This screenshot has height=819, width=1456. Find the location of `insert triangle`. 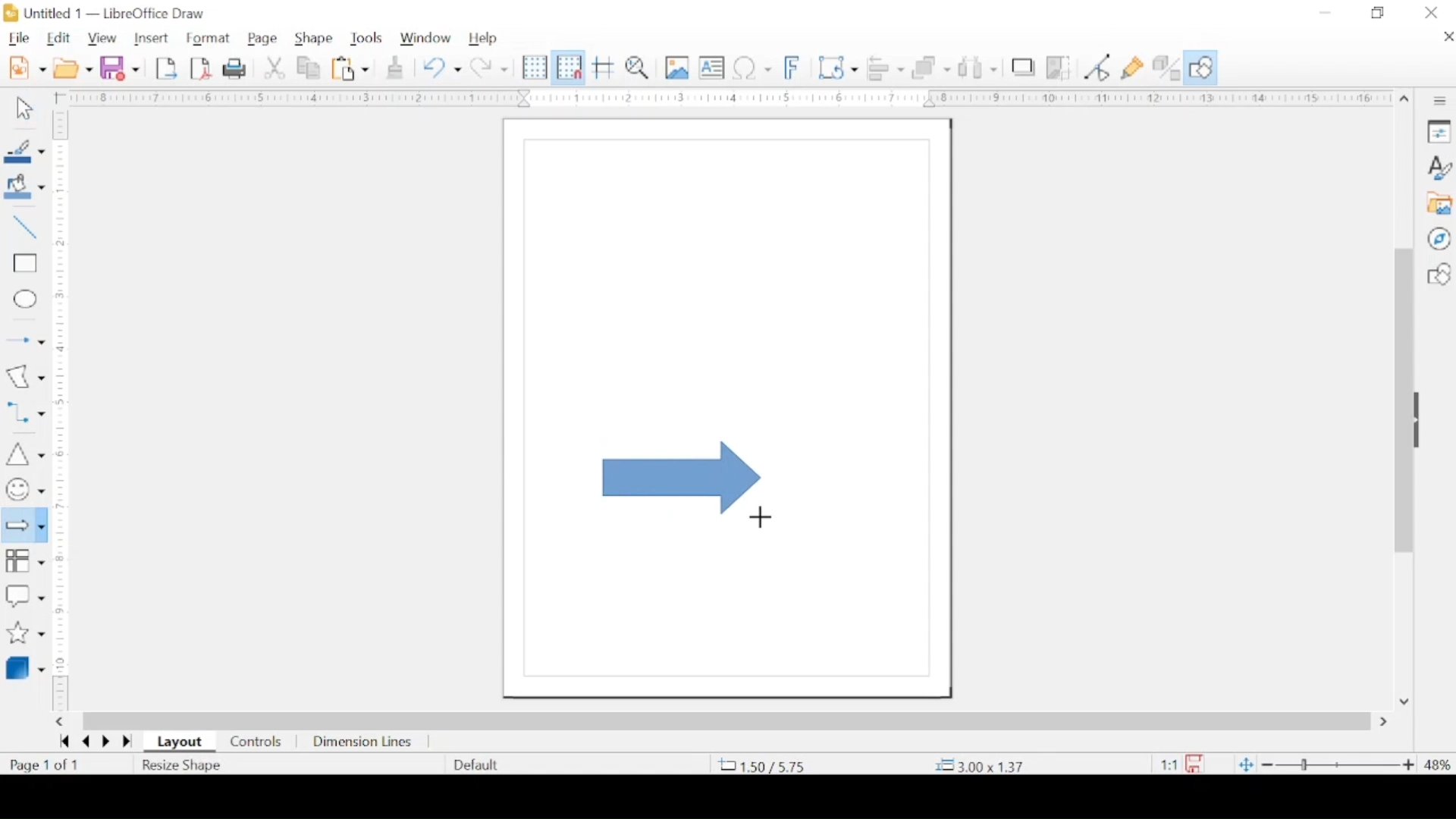

insert triangle is located at coordinates (24, 453).